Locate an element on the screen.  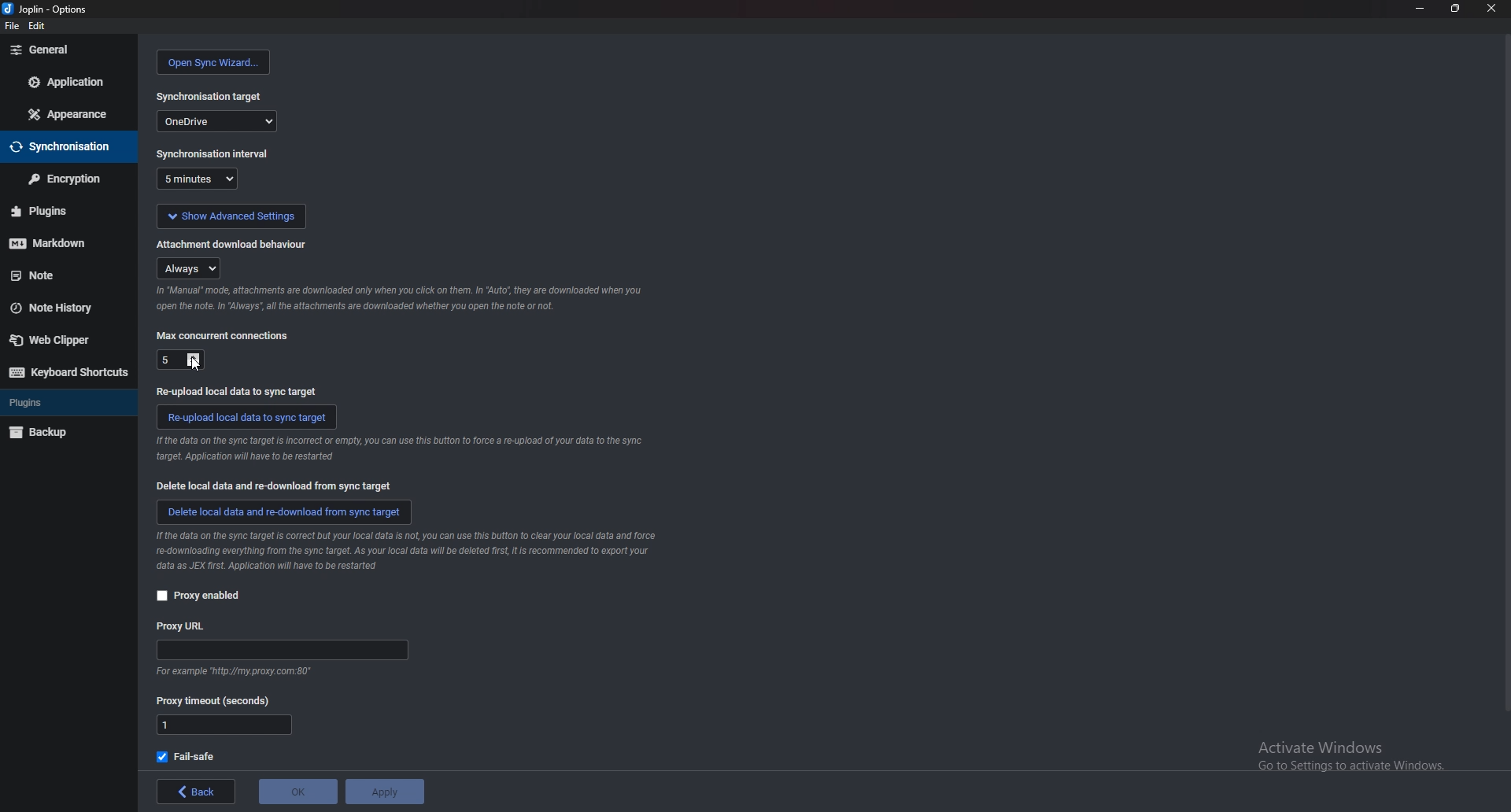
note is located at coordinates (62, 276).